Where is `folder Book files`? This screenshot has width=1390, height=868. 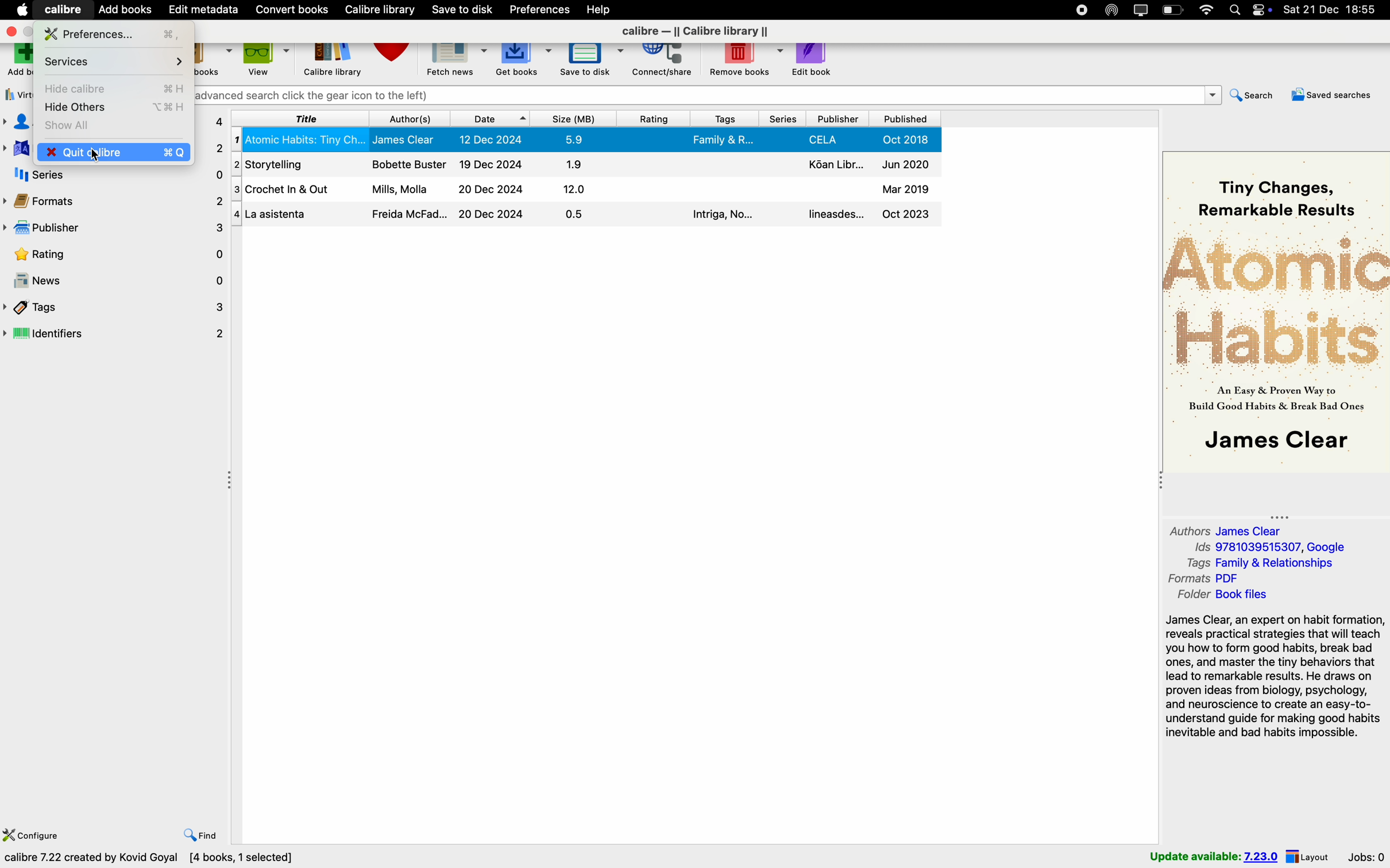 folder Book files is located at coordinates (1221, 596).